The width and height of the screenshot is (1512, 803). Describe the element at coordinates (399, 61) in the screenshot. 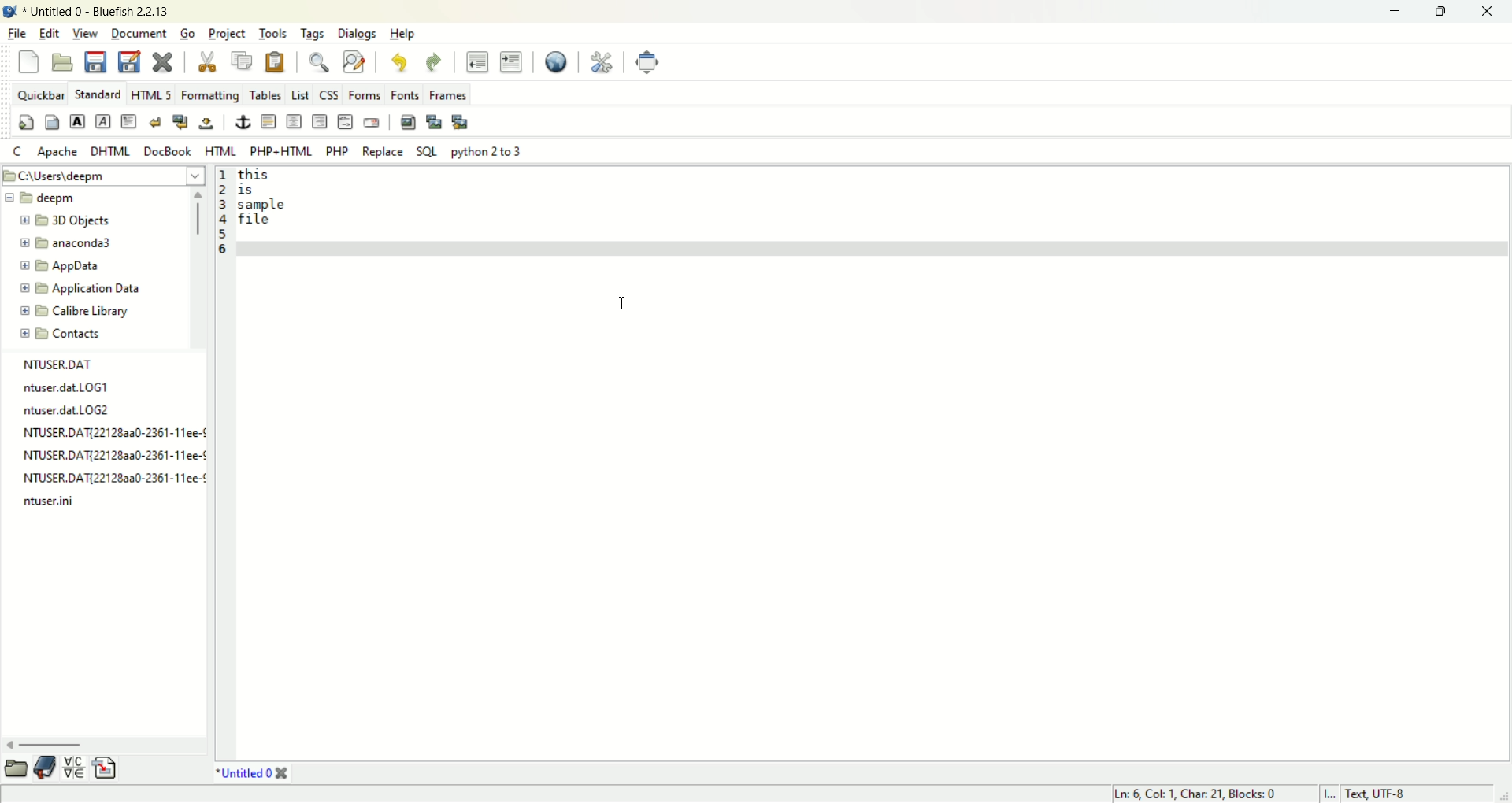

I see `undo` at that location.